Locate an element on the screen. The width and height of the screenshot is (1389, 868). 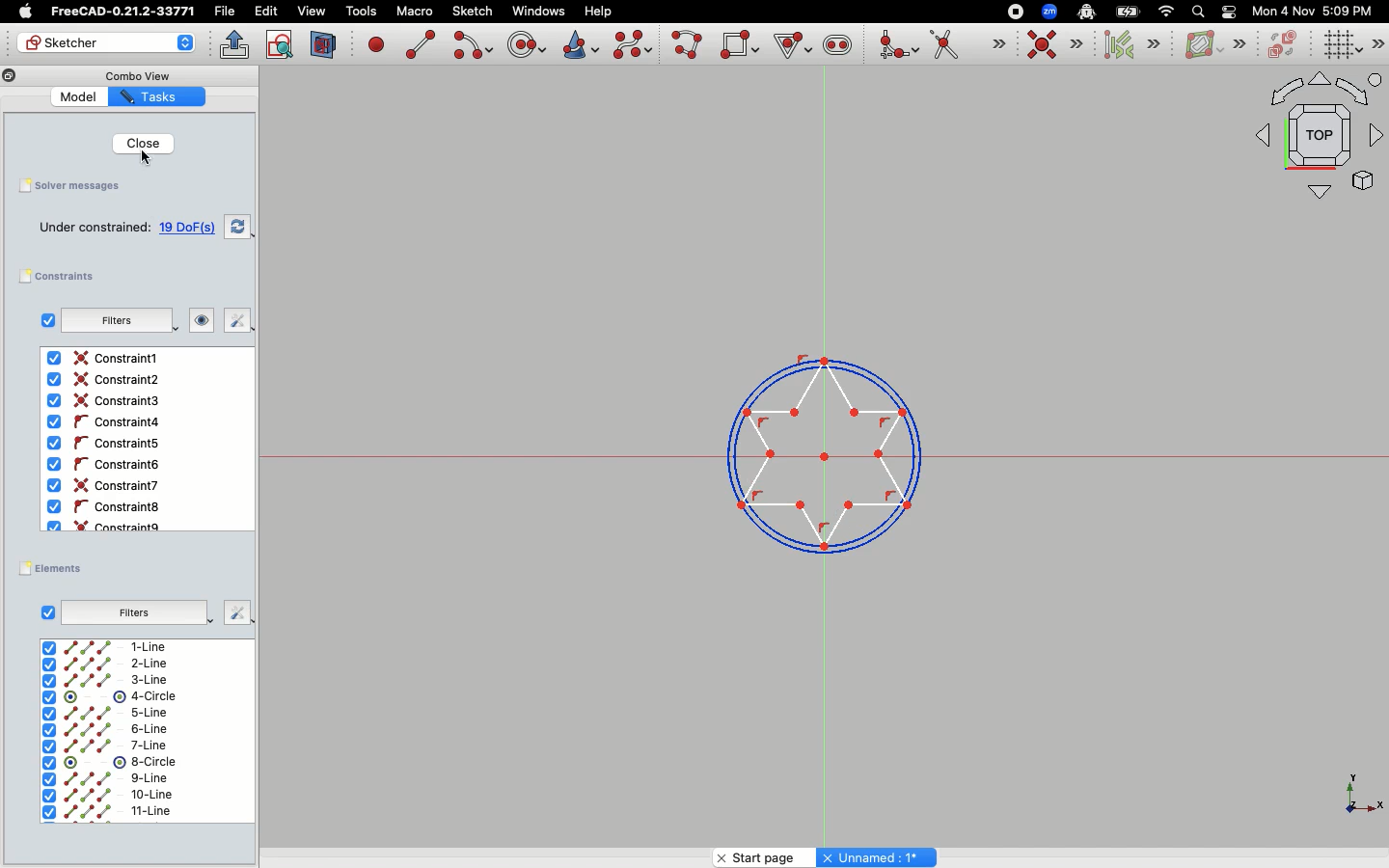
Constraint coincident is located at coordinates (1055, 45).